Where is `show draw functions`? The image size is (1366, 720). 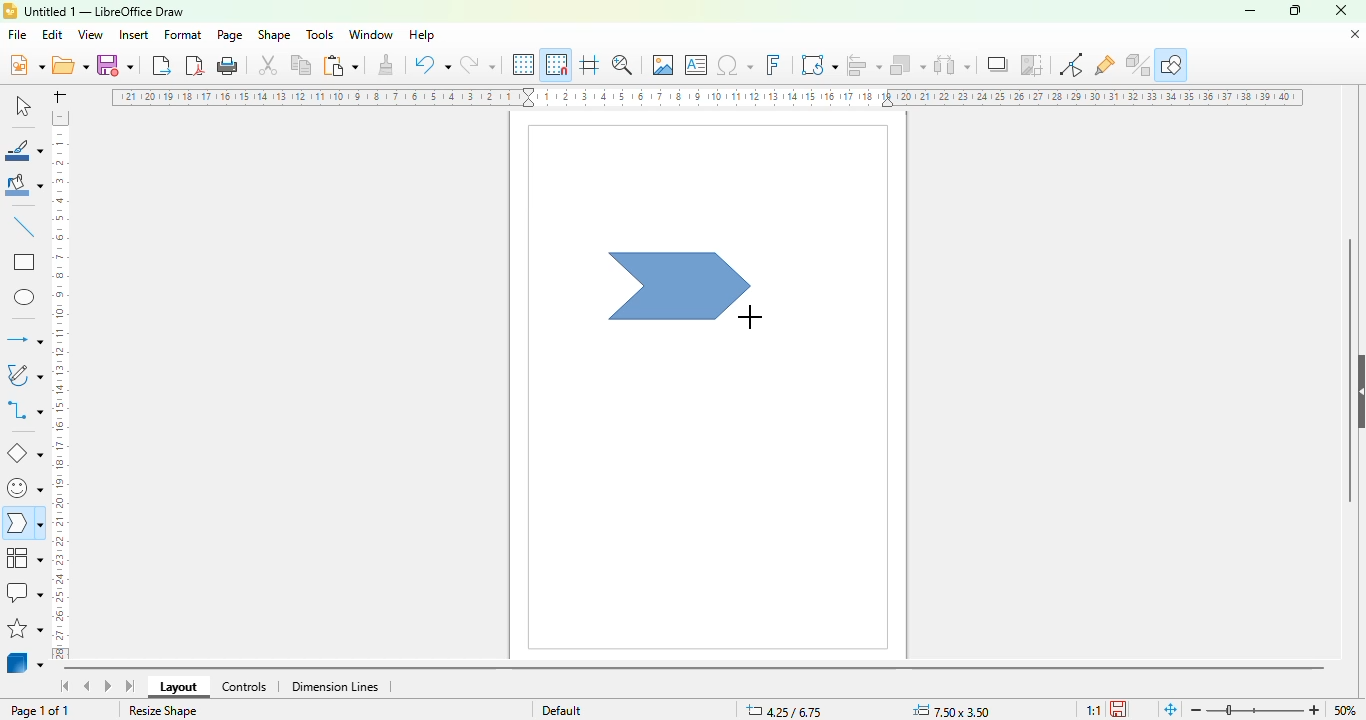 show draw functions is located at coordinates (1172, 64).